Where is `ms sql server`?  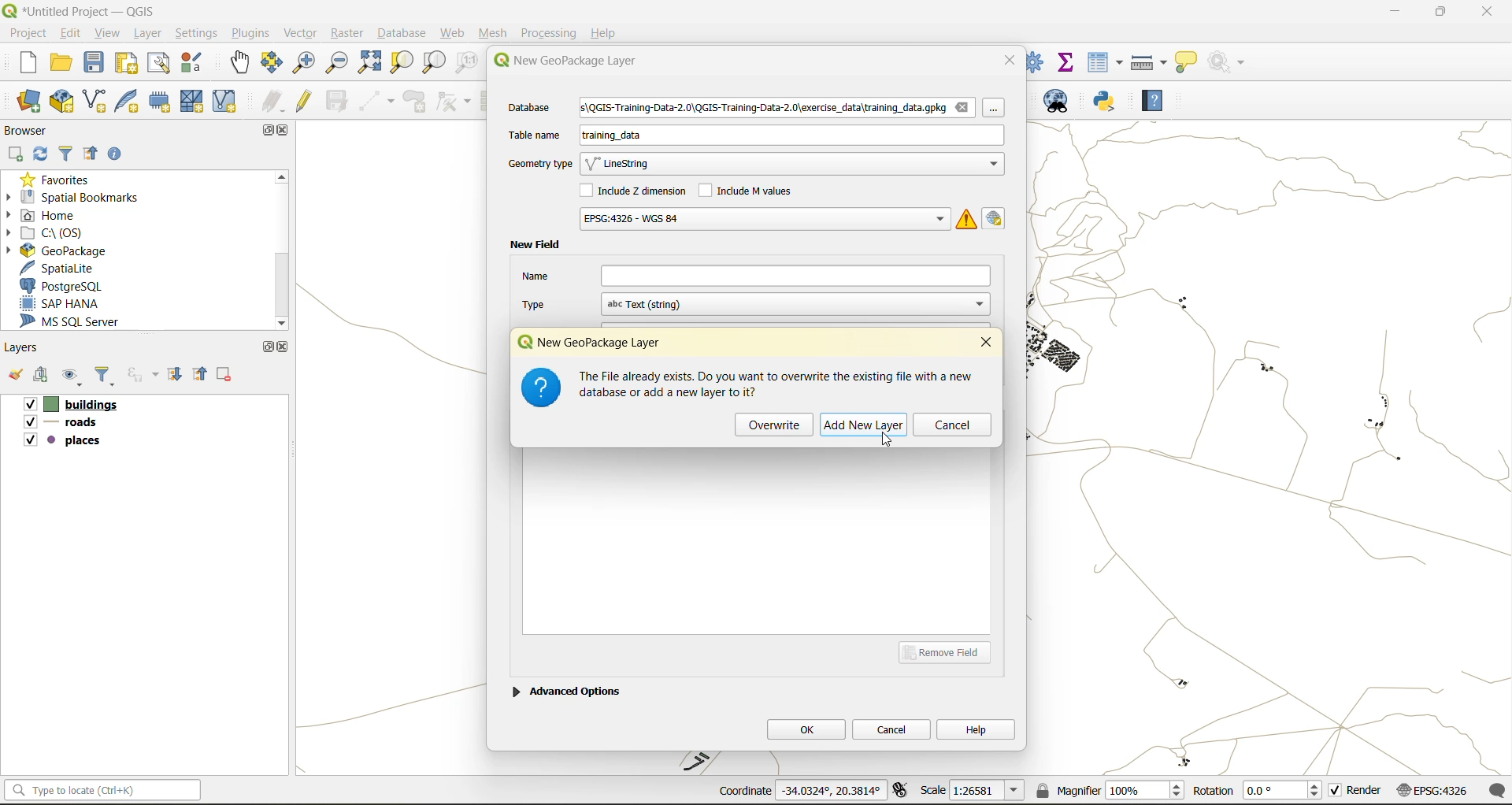 ms sql server is located at coordinates (80, 324).